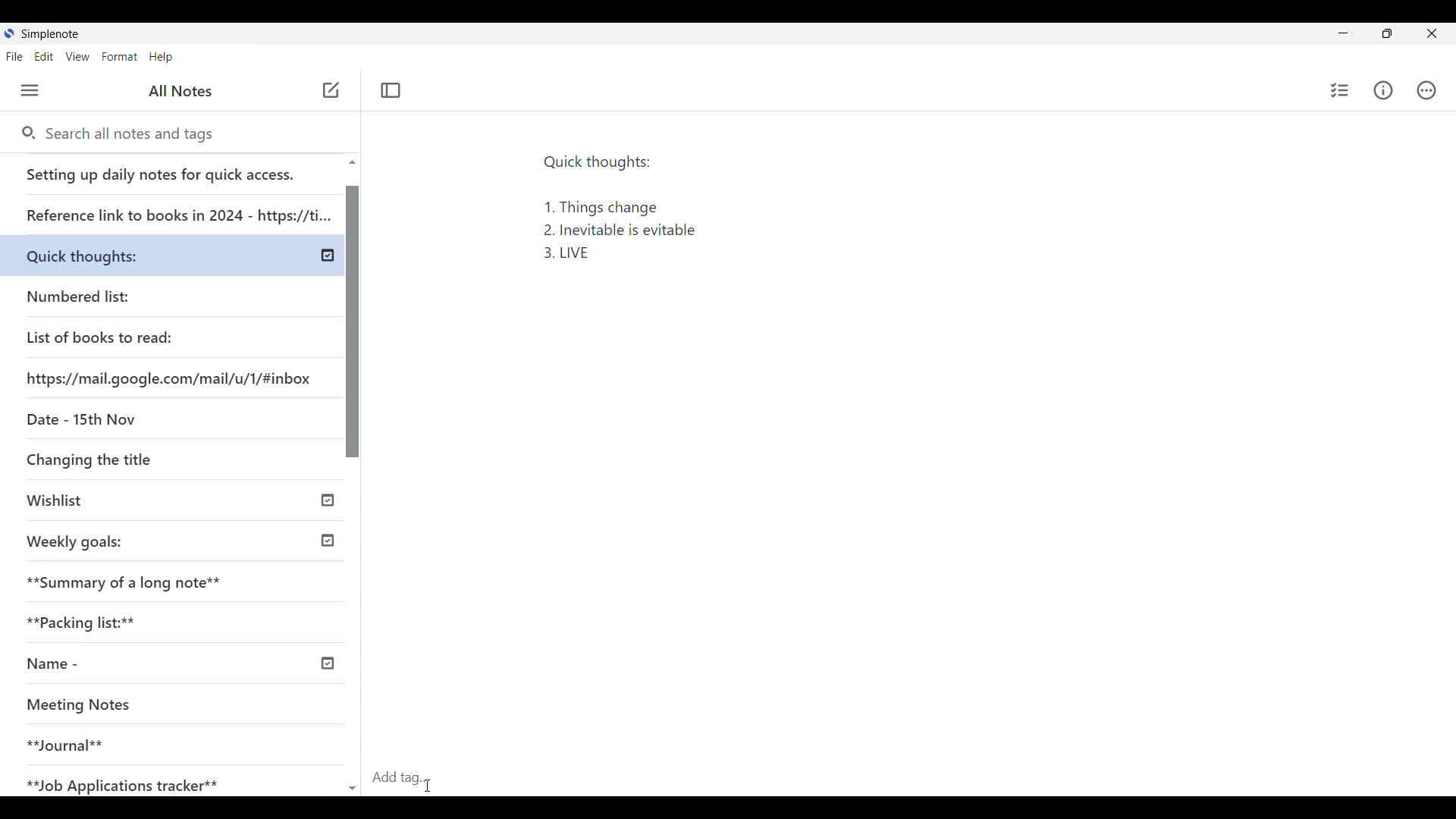  Describe the element at coordinates (151, 739) in the screenshot. I see `Journal` at that location.